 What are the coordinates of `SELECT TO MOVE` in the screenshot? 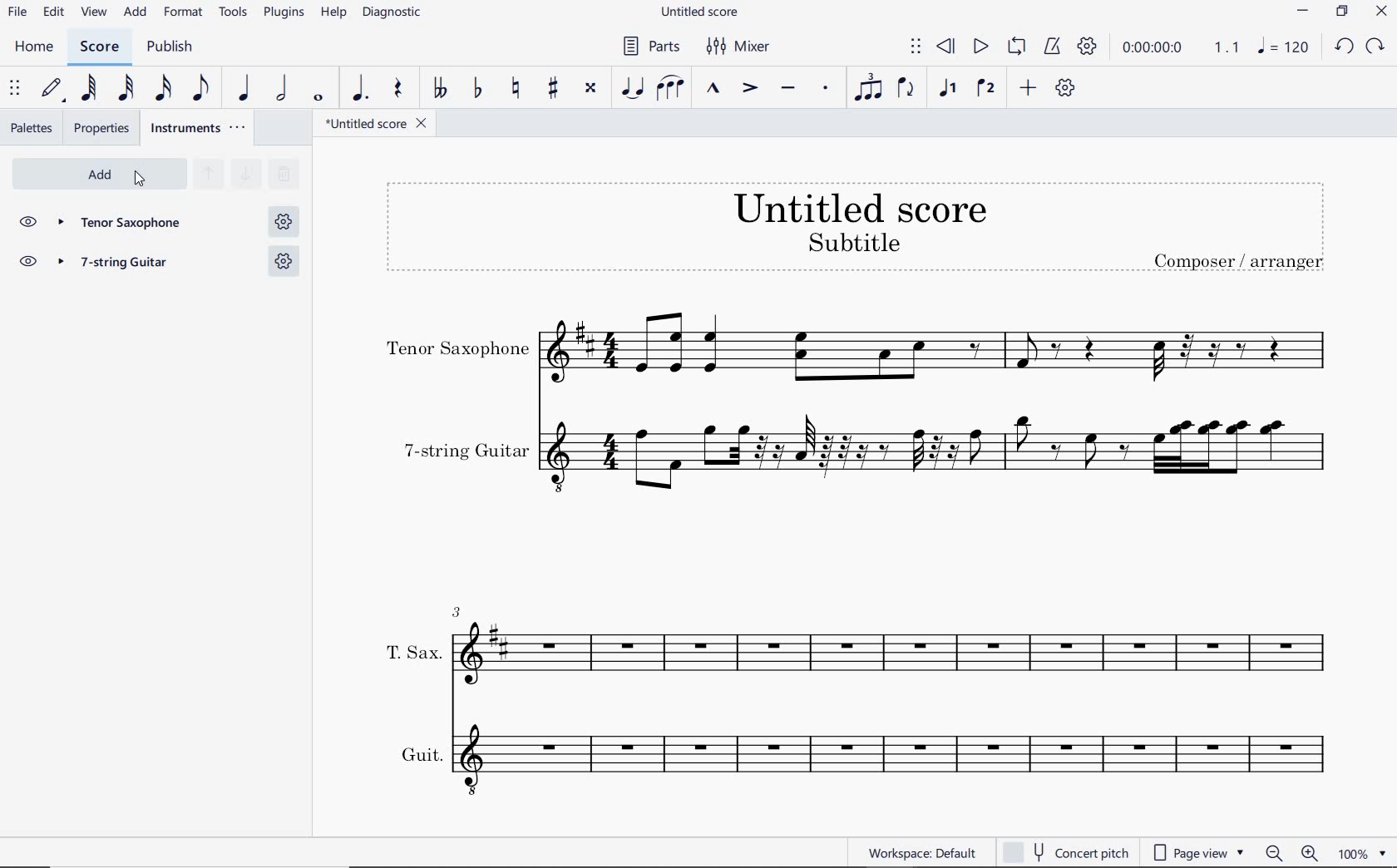 It's located at (916, 49).